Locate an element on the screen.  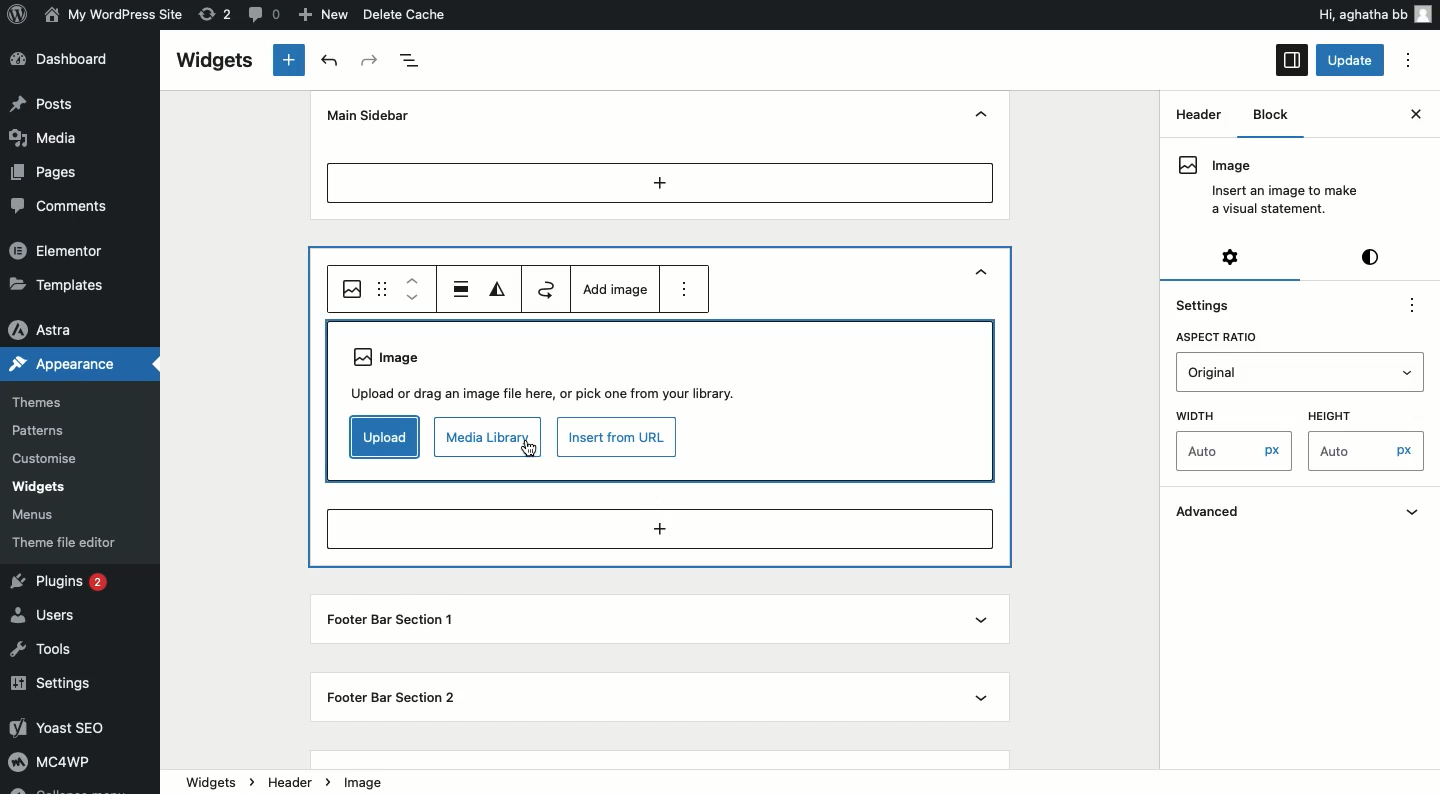
Move to widget area is located at coordinates (549, 288).